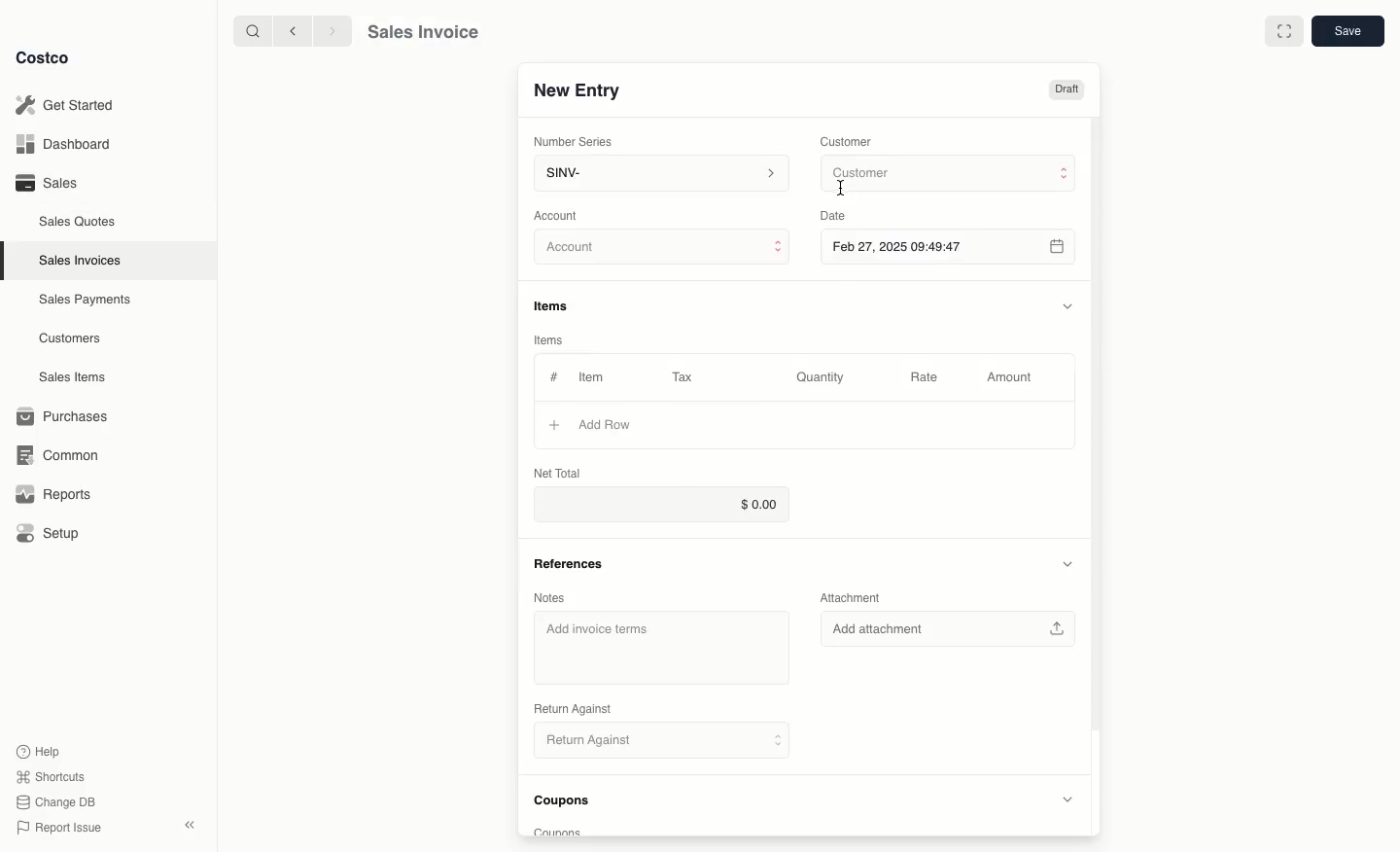  Describe the element at coordinates (1347, 32) in the screenshot. I see `Save` at that location.